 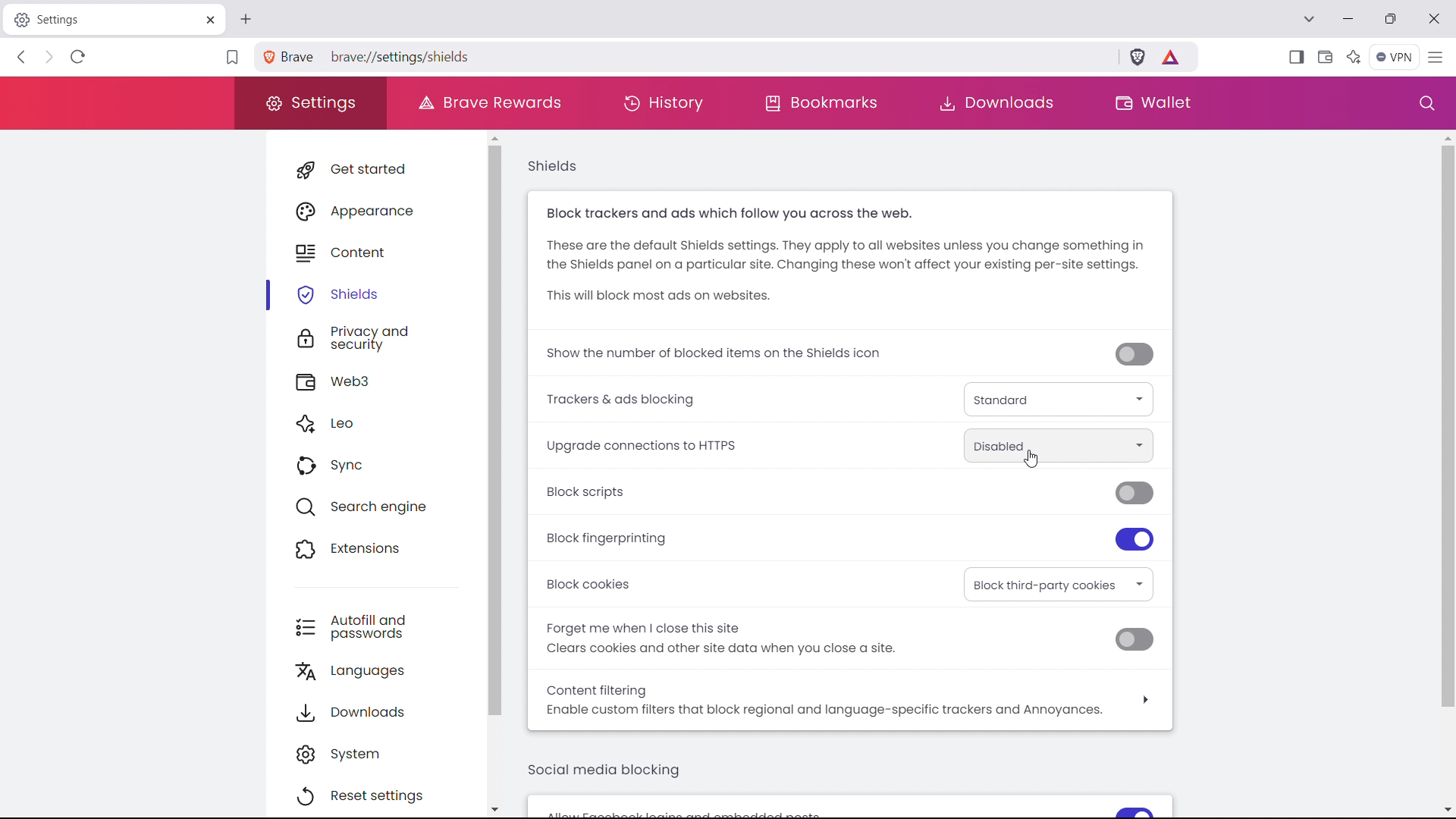 What do you see at coordinates (77, 57) in the screenshot?
I see `refrsh this page` at bounding box center [77, 57].